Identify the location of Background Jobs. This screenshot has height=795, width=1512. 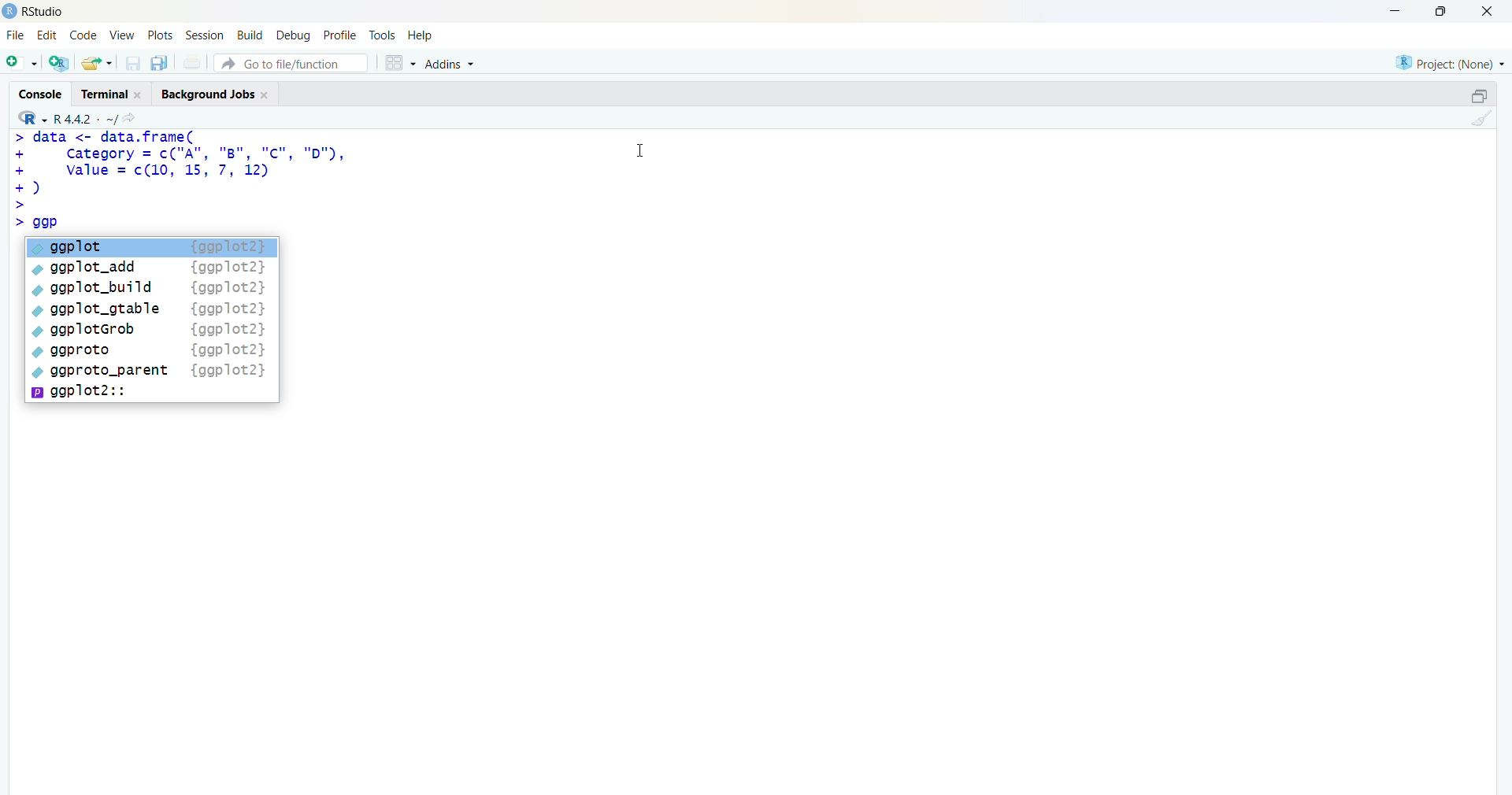
(214, 91).